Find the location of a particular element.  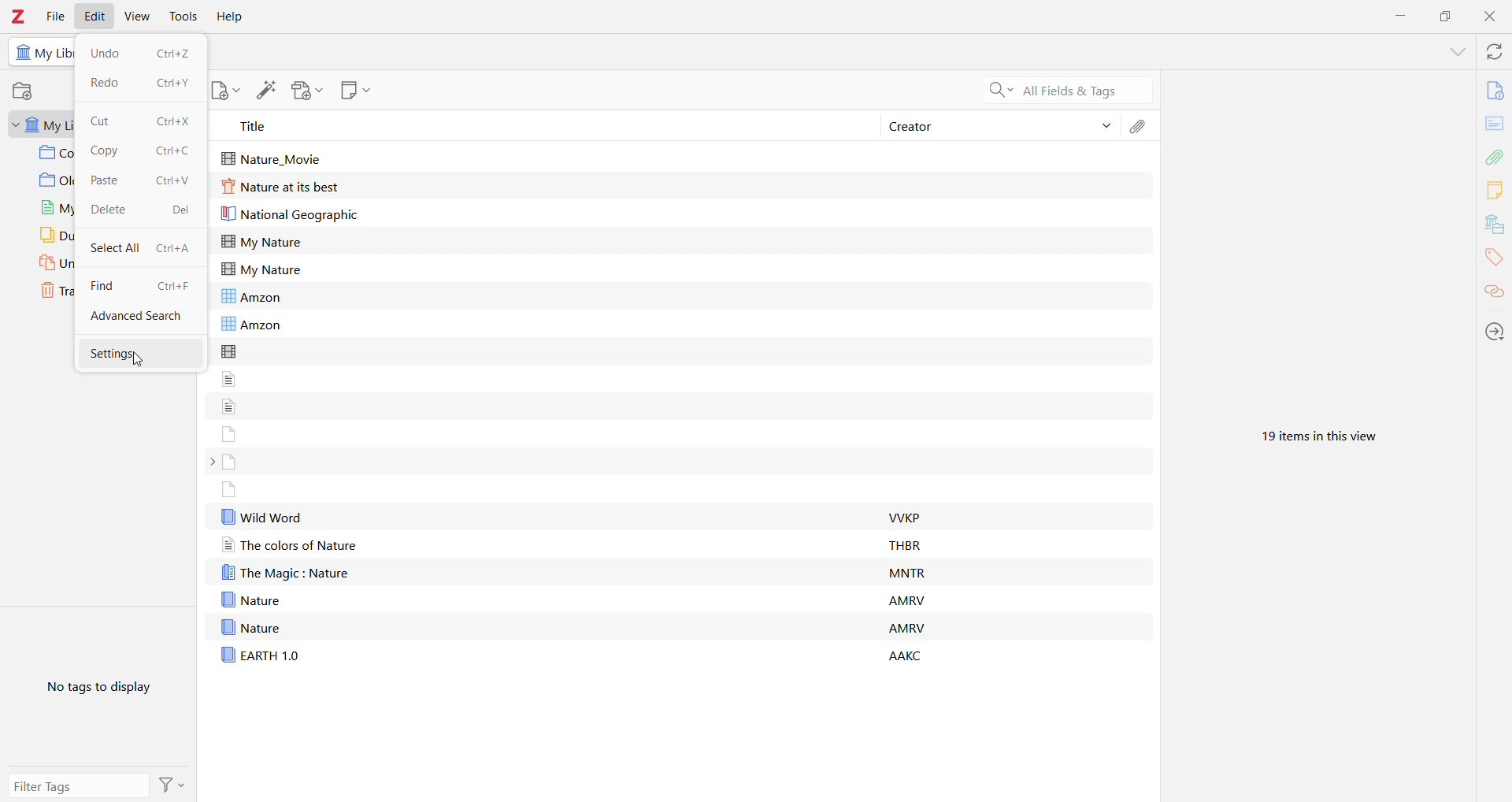

file without title is located at coordinates (229, 433).